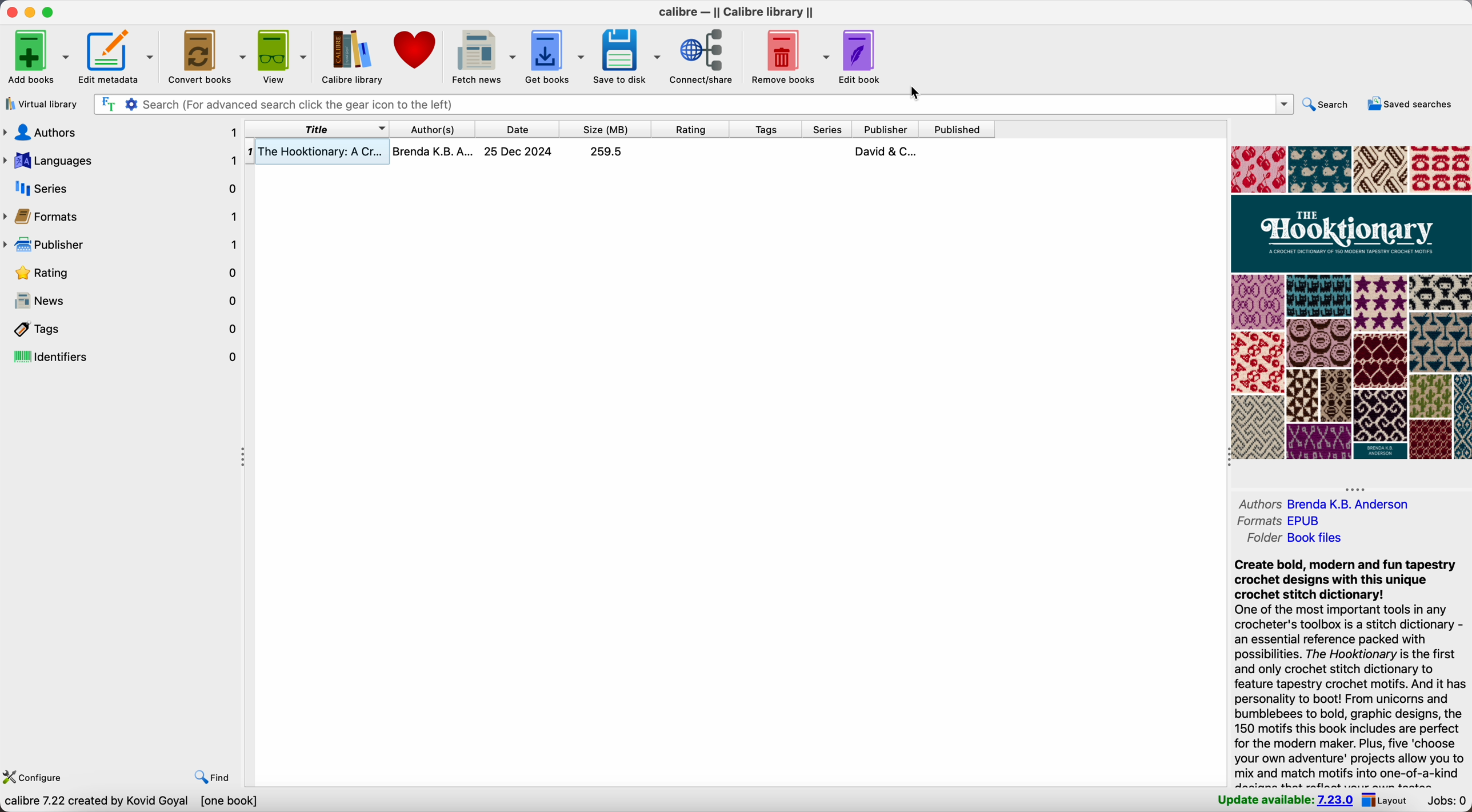 The width and height of the screenshot is (1472, 812). I want to click on size, so click(606, 129).